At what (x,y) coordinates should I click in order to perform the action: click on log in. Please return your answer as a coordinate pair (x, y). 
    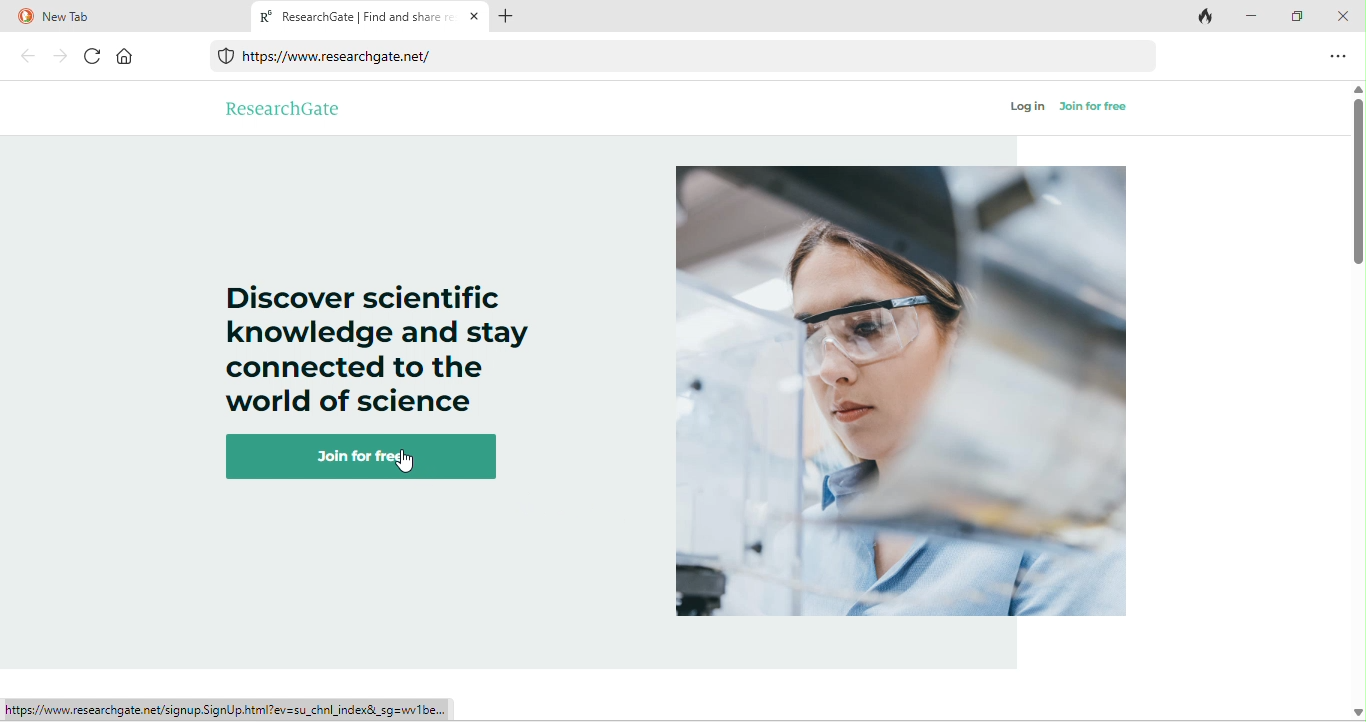
    Looking at the image, I should click on (1028, 107).